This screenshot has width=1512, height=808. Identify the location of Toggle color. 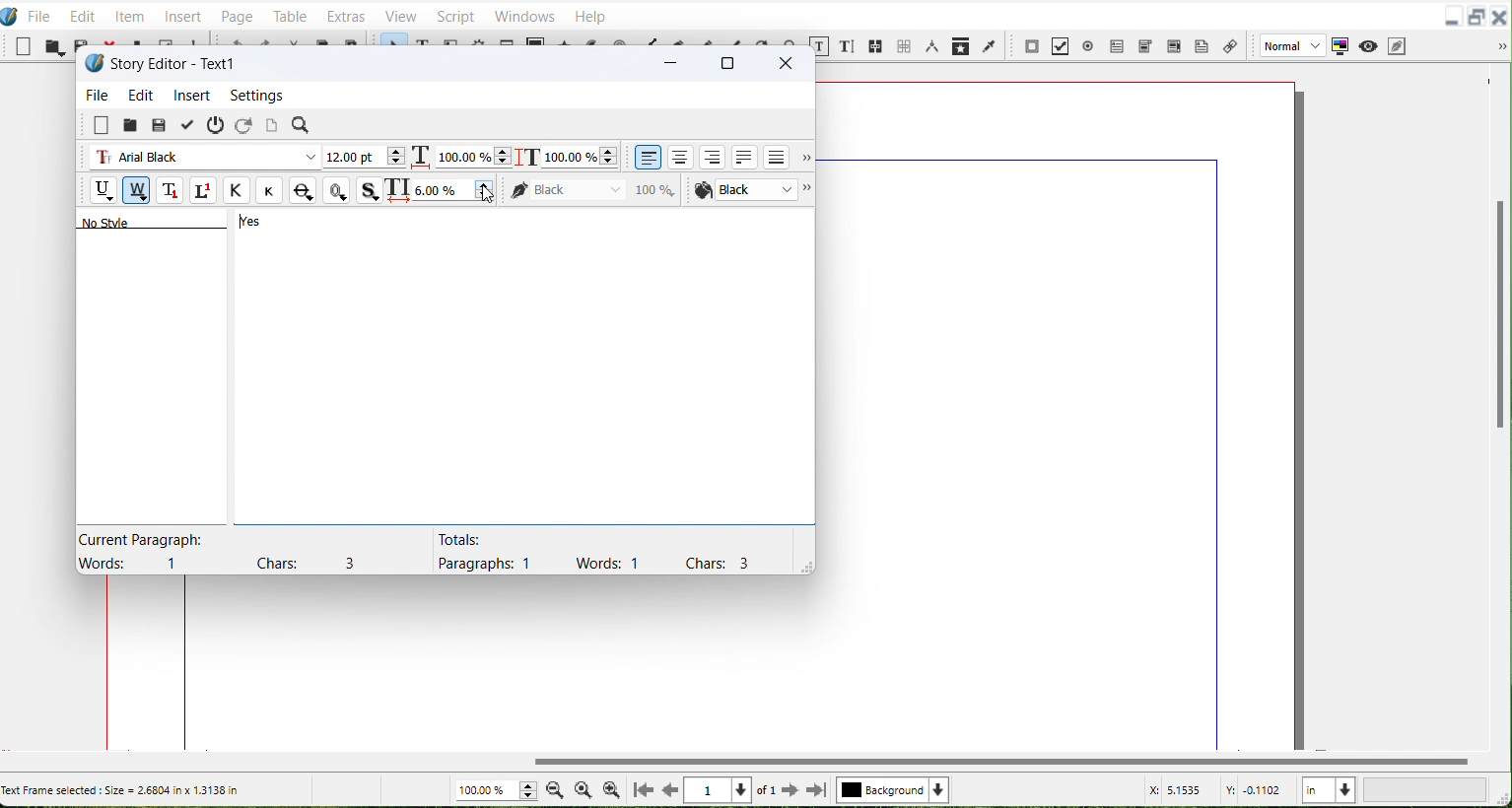
(1340, 45).